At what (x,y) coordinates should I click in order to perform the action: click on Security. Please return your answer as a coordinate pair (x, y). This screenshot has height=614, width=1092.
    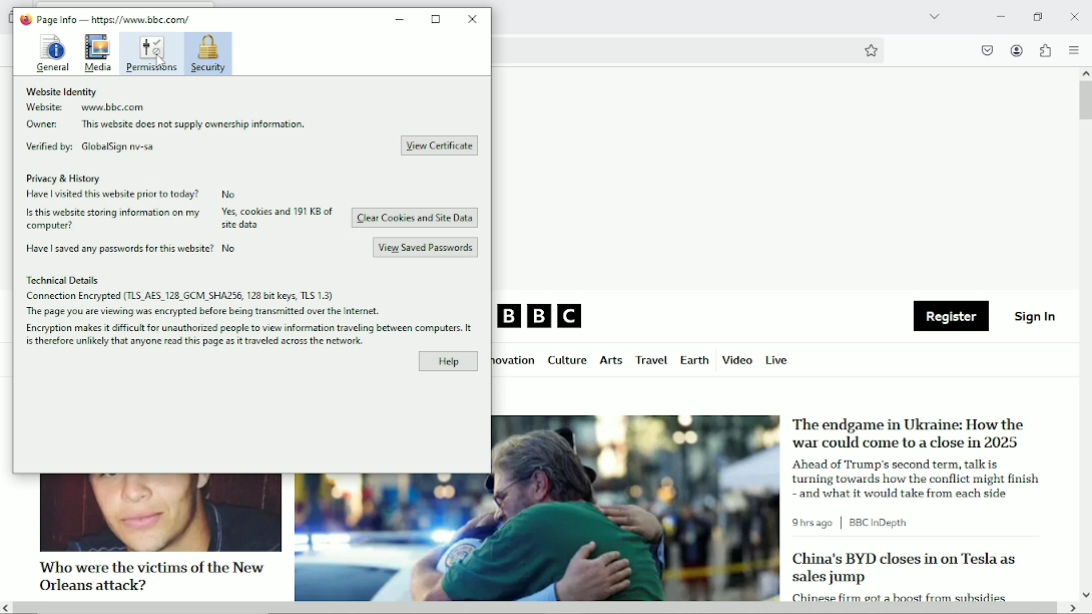
    Looking at the image, I should click on (208, 54).